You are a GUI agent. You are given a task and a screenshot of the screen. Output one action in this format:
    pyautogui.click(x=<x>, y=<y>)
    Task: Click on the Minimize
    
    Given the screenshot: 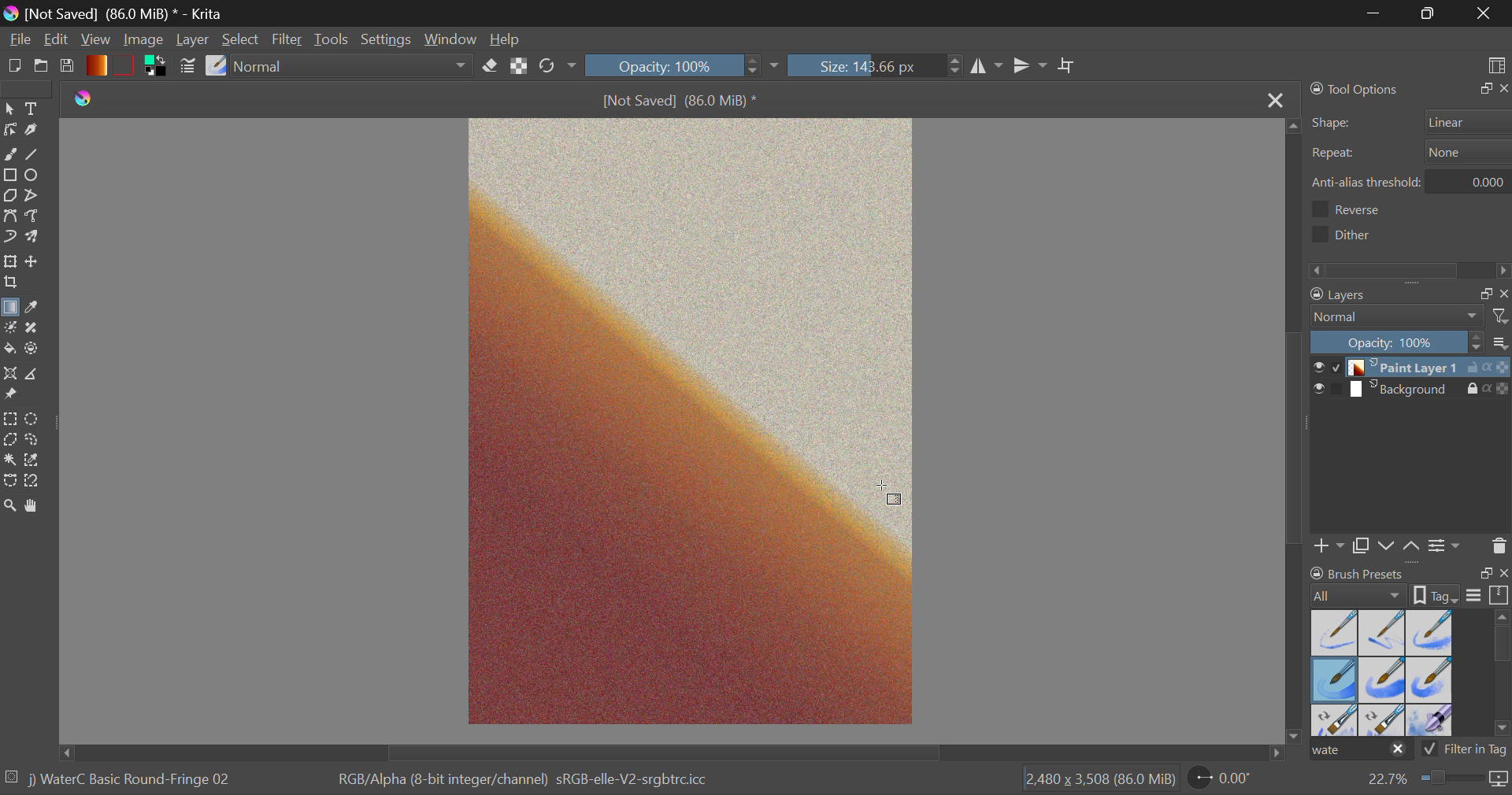 What is the action you would take?
    pyautogui.click(x=1428, y=13)
    